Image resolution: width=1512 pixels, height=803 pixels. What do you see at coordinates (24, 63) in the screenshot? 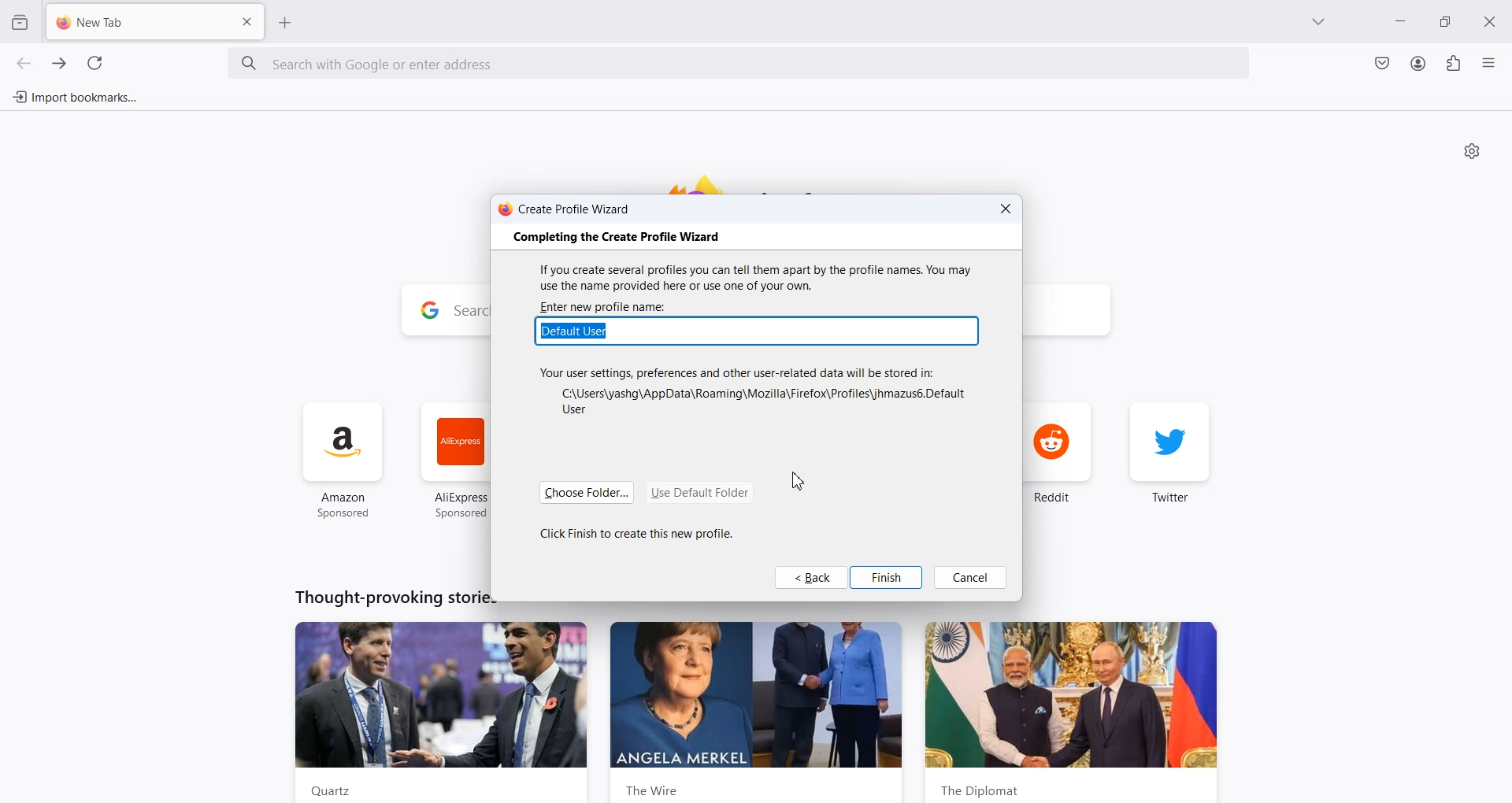
I see `Go back one page` at bounding box center [24, 63].